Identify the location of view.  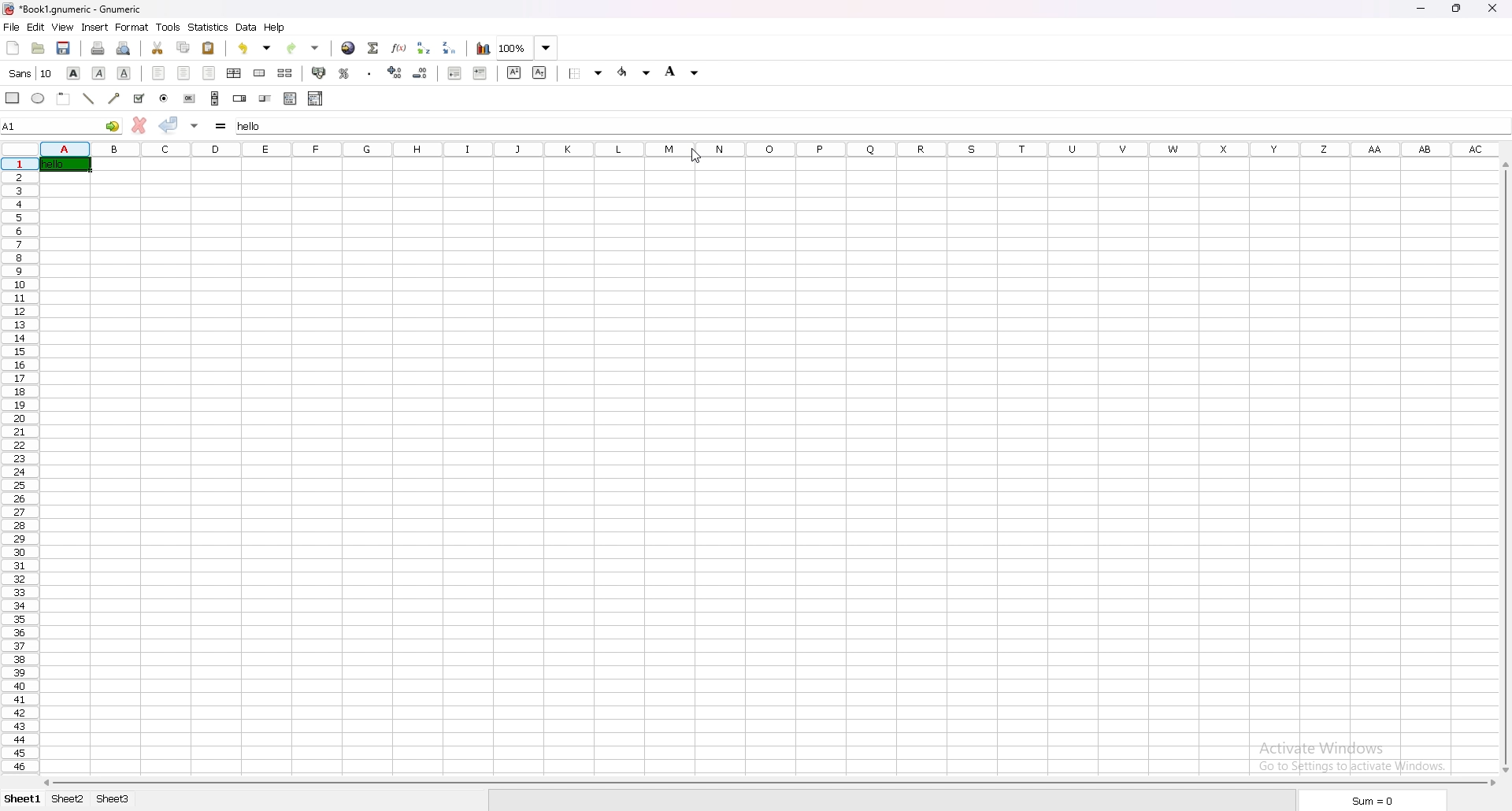
(63, 27).